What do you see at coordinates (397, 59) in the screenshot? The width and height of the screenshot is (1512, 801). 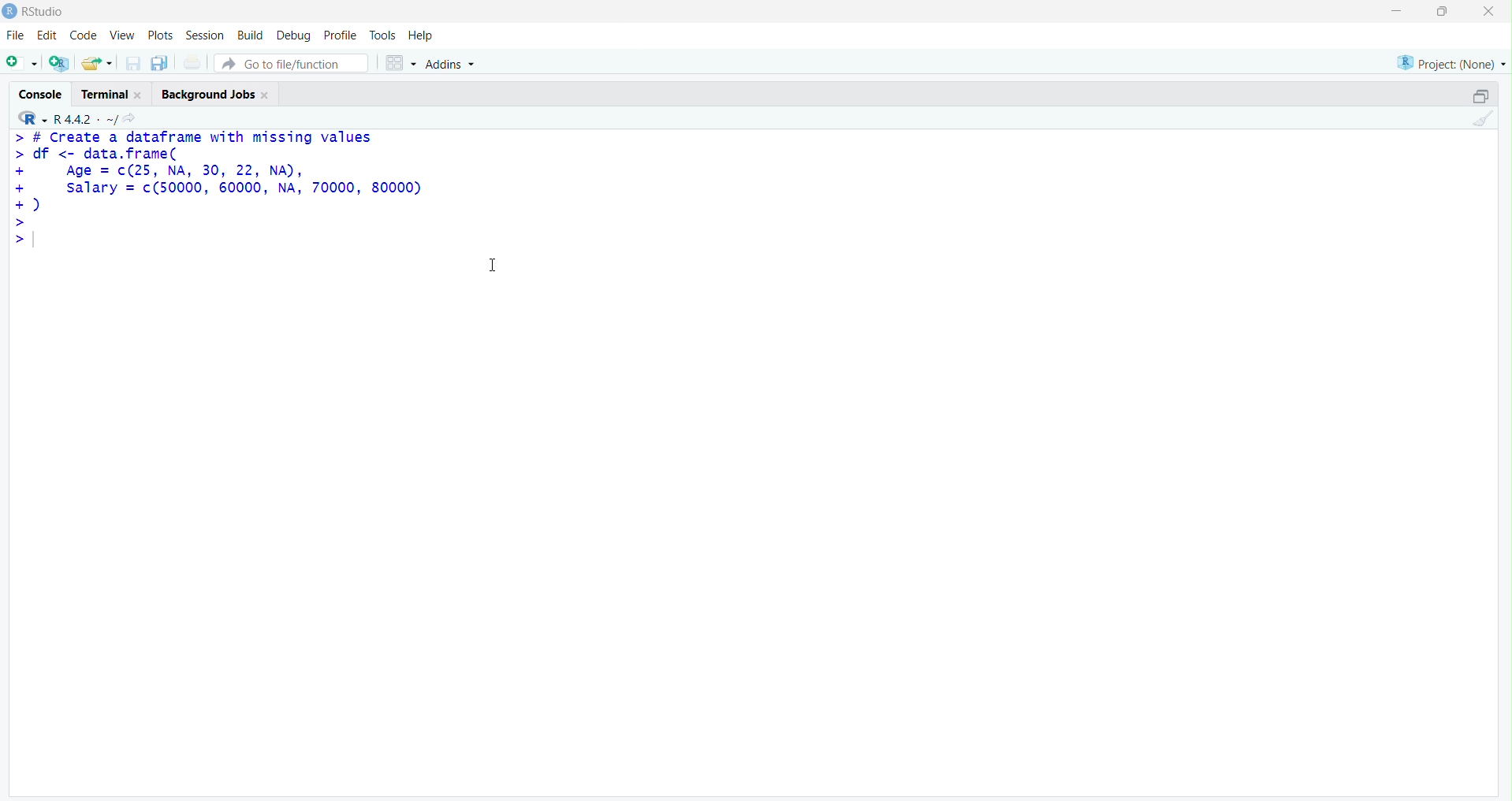 I see `Workspace panes` at bounding box center [397, 59].